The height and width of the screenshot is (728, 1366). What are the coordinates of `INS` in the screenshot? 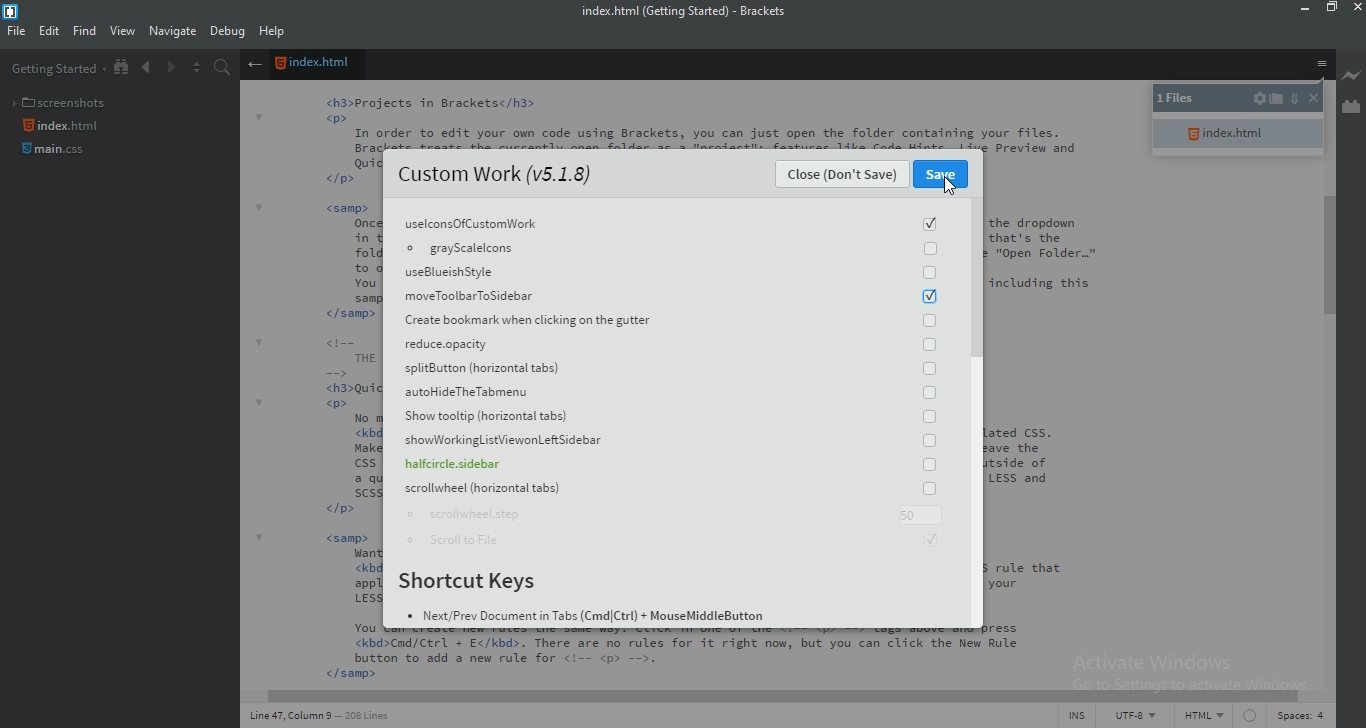 It's located at (1080, 717).